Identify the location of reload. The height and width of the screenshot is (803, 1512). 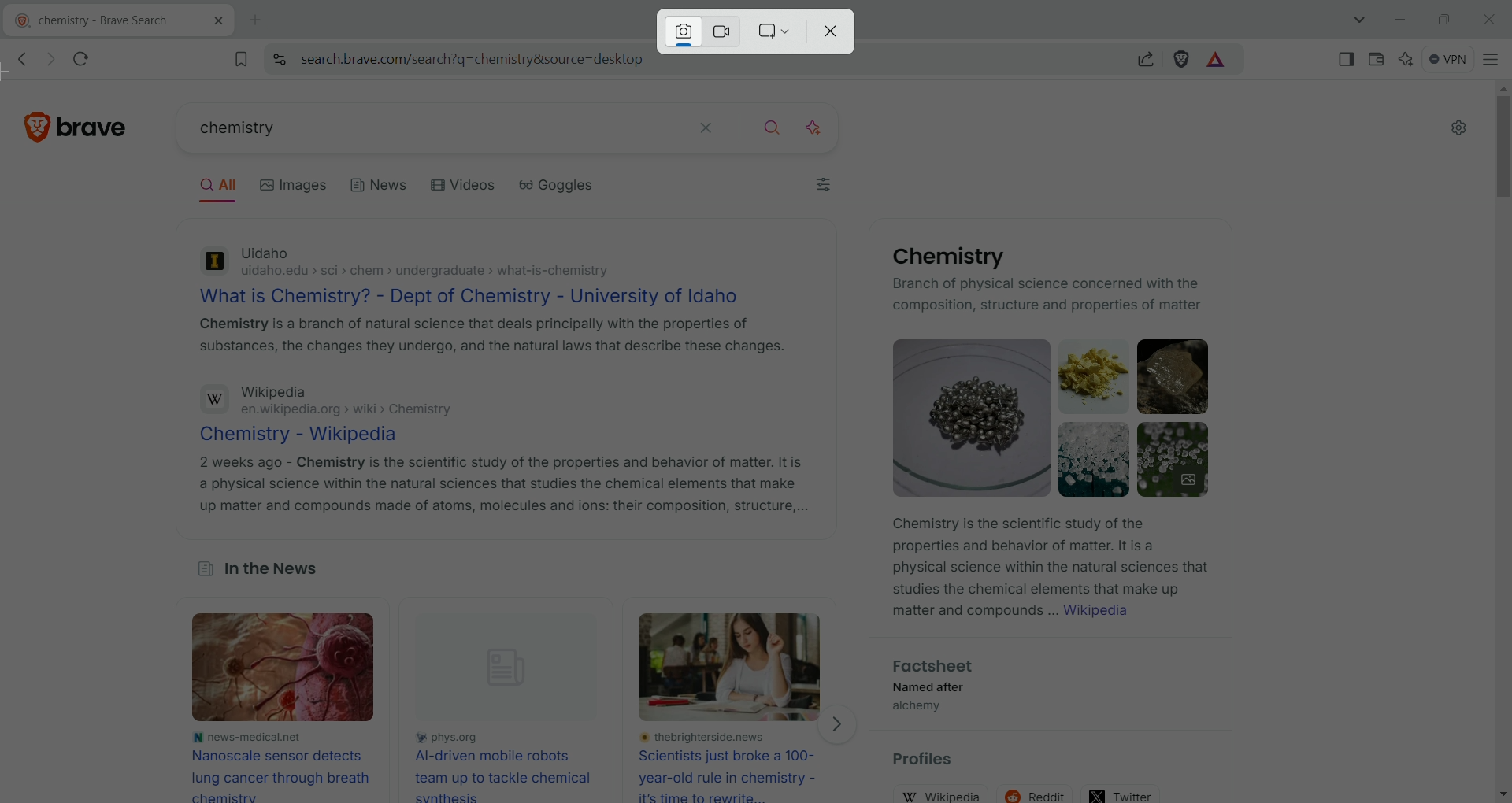
(87, 56).